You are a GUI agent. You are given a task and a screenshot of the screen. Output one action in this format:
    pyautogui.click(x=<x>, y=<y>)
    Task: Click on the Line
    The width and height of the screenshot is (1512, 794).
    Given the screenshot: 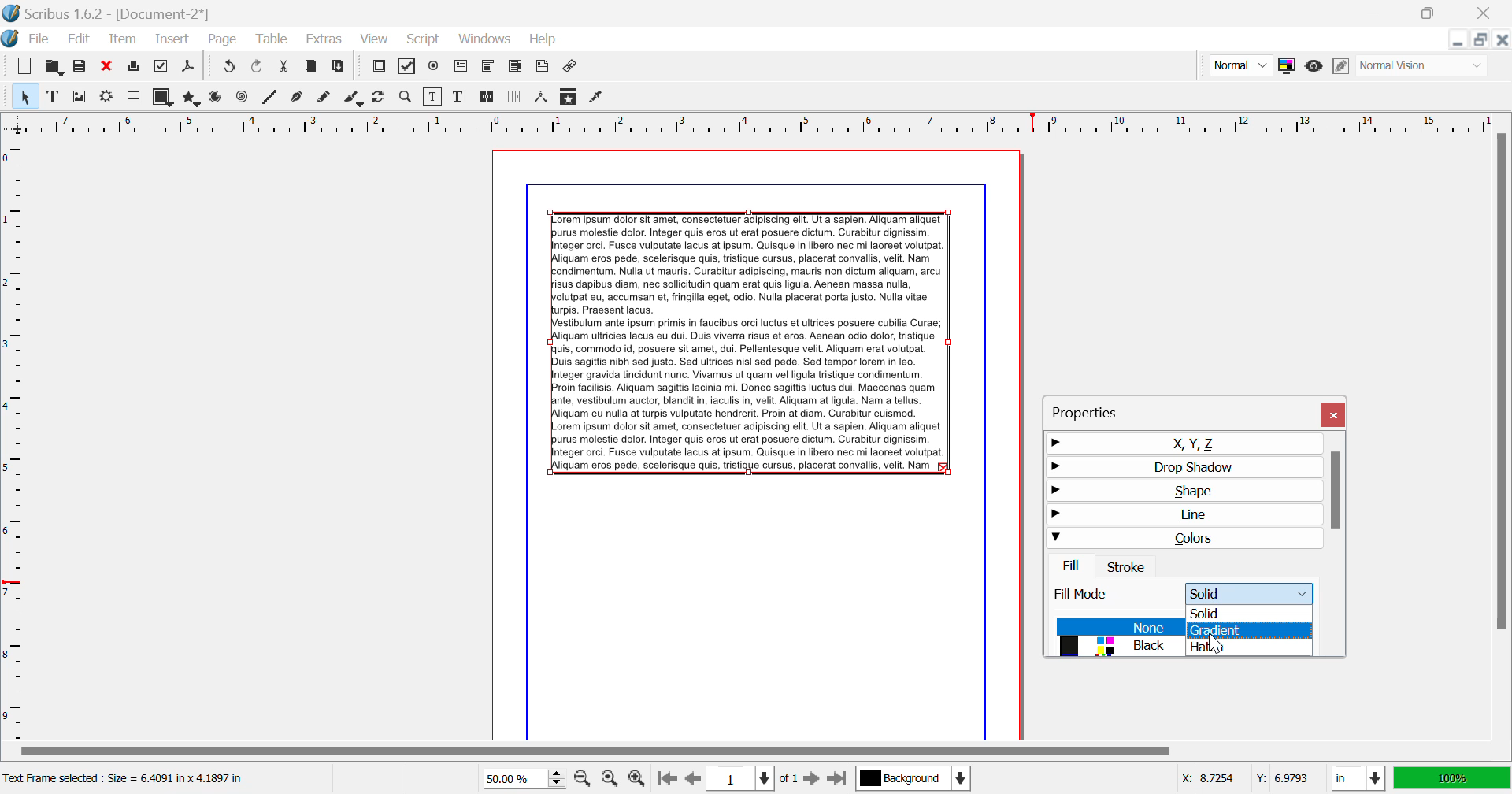 What is the action you would take?
    pyautogui.click(x=270, y=98)
    